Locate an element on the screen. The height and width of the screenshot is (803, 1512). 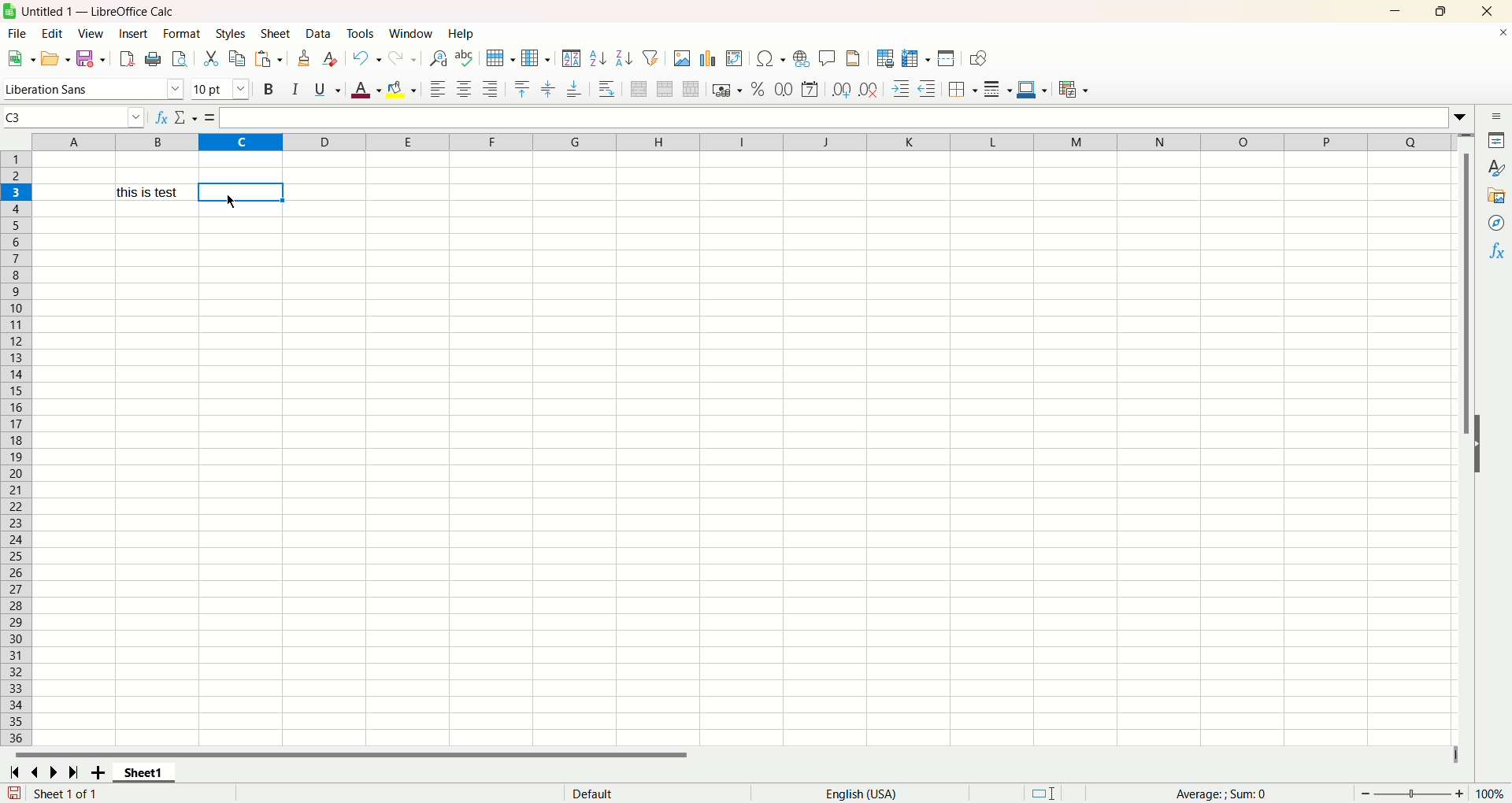
new is located at coordinates (20, 58).